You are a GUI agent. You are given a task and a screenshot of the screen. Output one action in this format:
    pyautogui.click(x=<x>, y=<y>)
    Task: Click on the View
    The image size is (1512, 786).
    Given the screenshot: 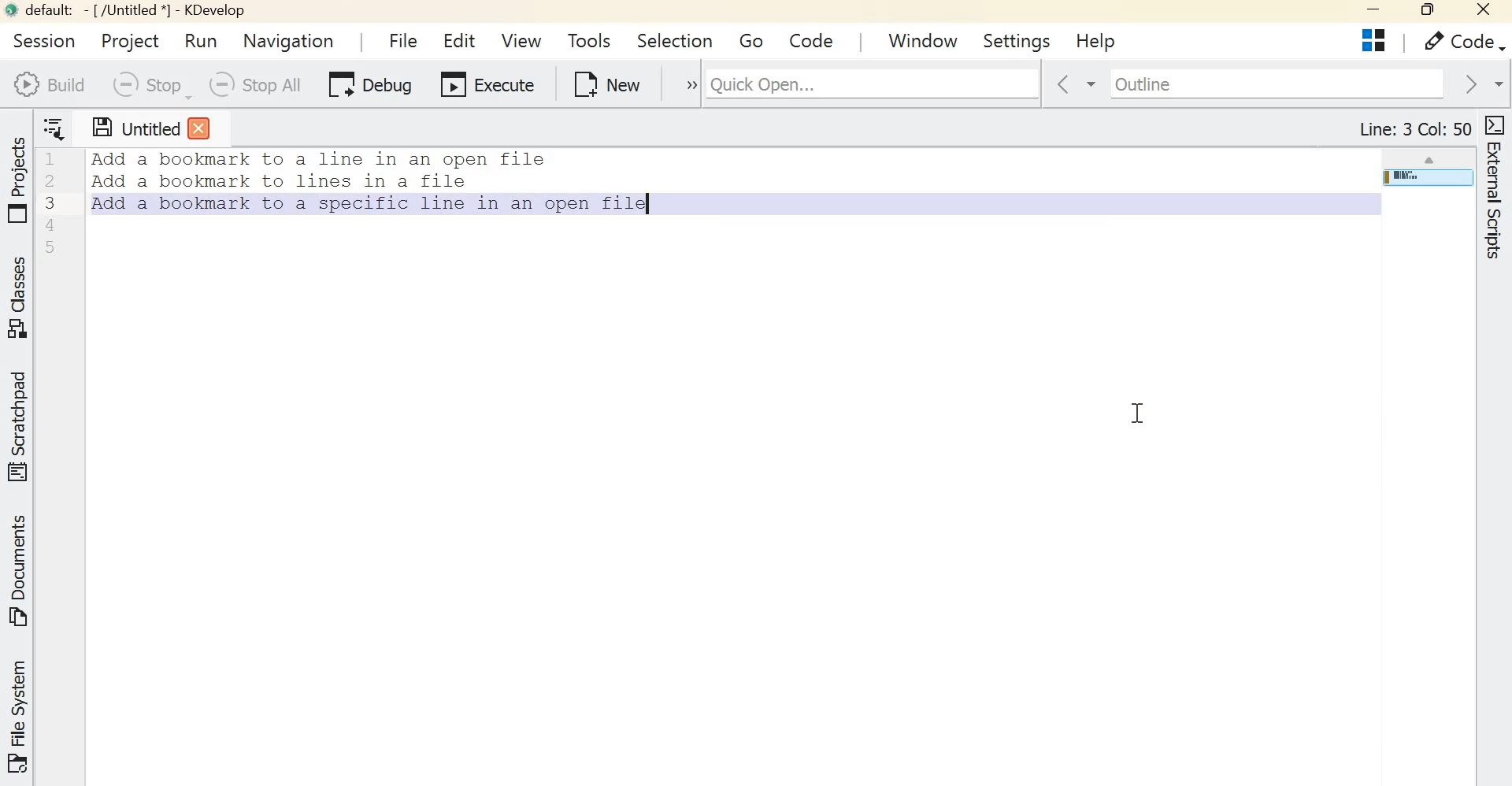 What is the action you would take?
    pyautogui.click(x=521, y=39)
    